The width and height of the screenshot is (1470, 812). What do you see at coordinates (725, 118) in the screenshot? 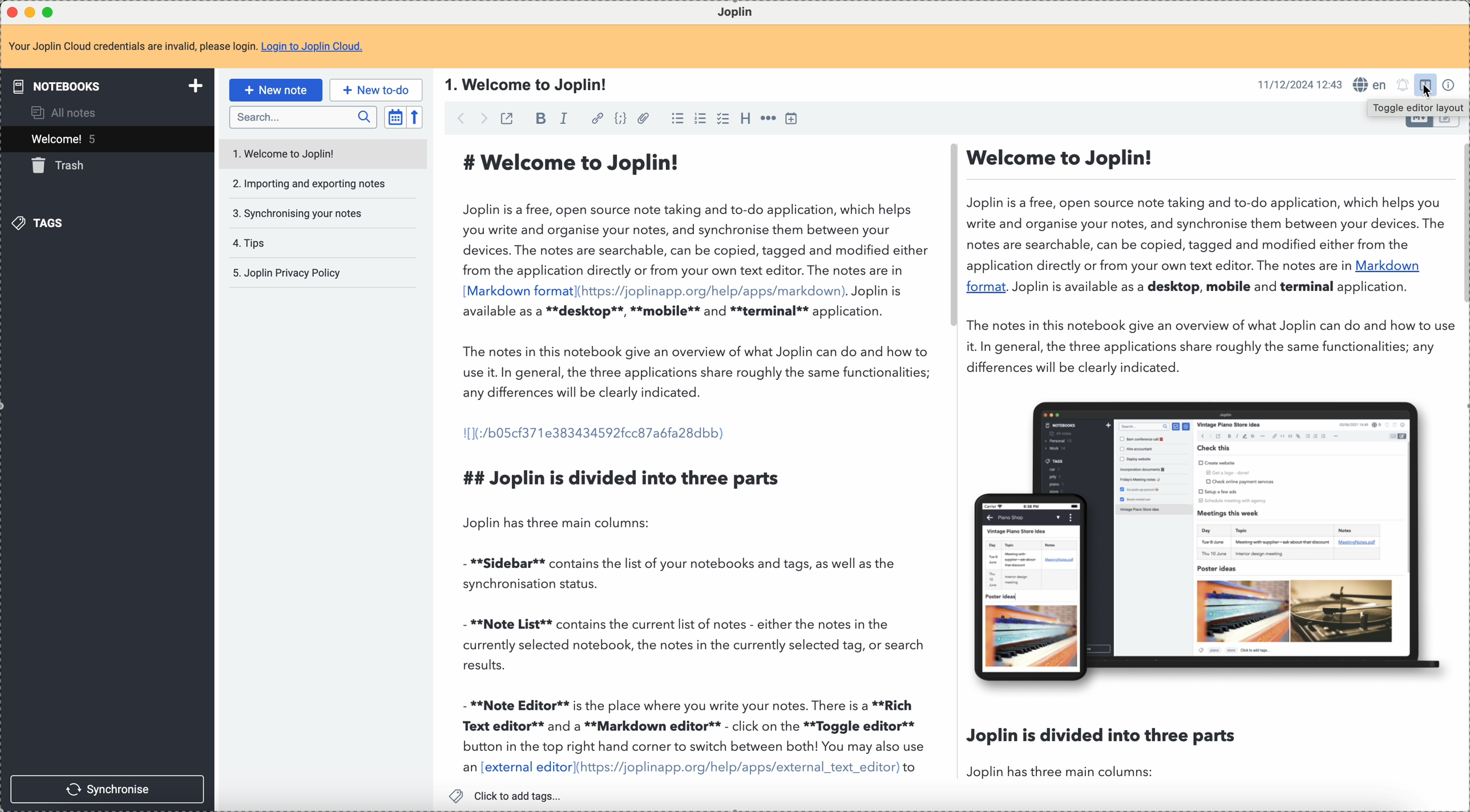
I see `checkbox` at bounding box center [725, 118].